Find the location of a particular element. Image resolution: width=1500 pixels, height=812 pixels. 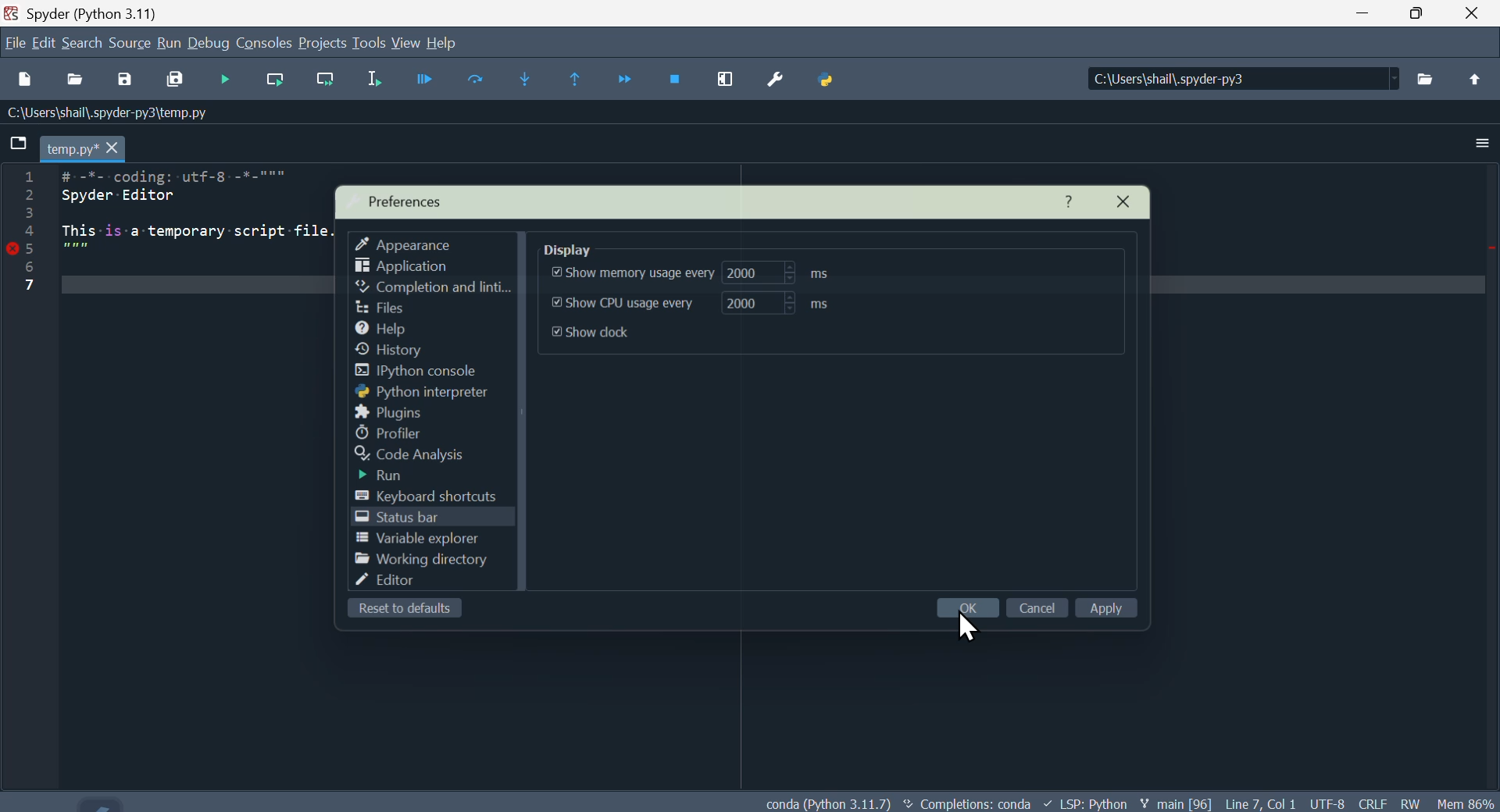

Close is located at coordinates (1133, 199).